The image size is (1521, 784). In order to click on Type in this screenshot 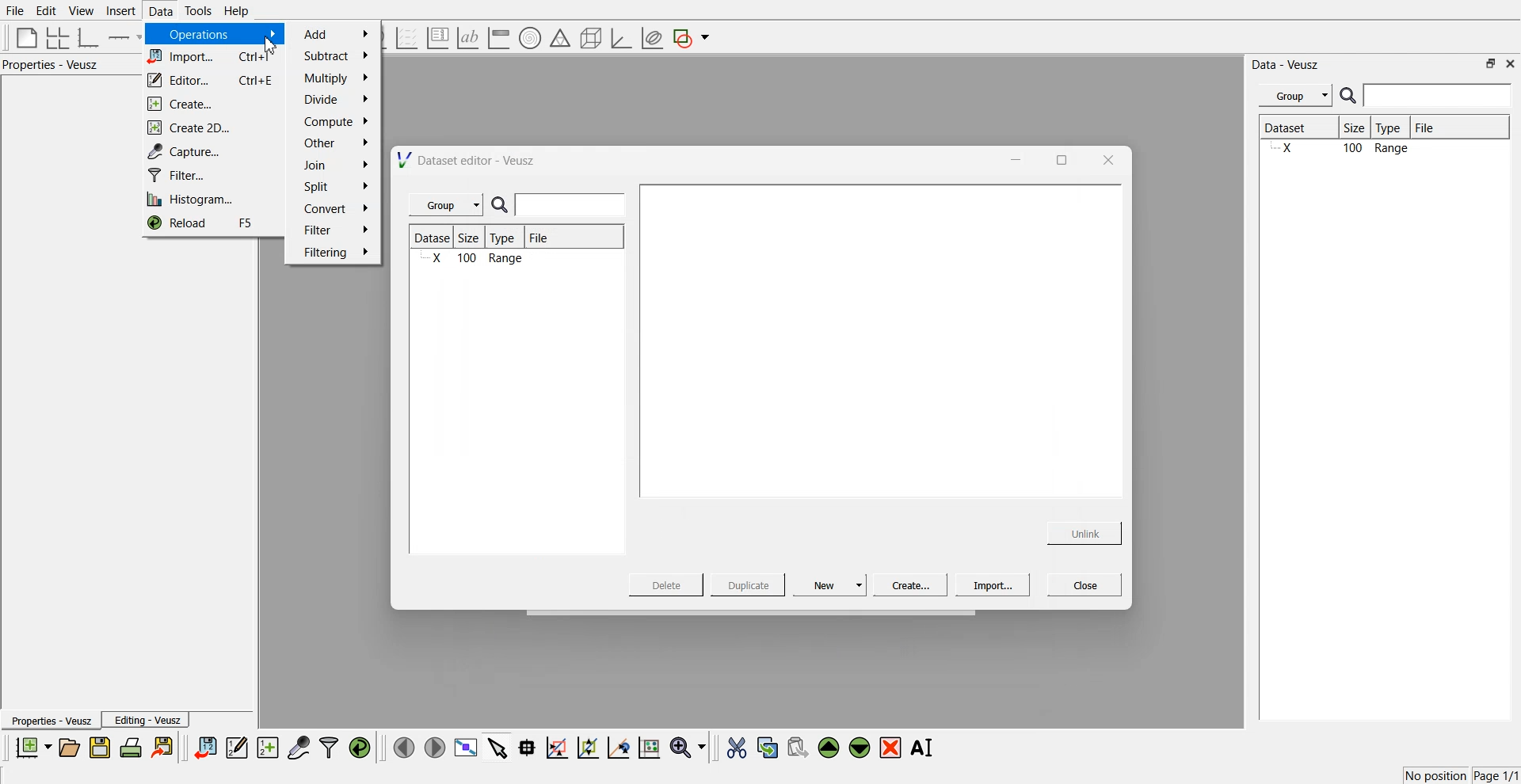, I will do `click(1393, 128)`.